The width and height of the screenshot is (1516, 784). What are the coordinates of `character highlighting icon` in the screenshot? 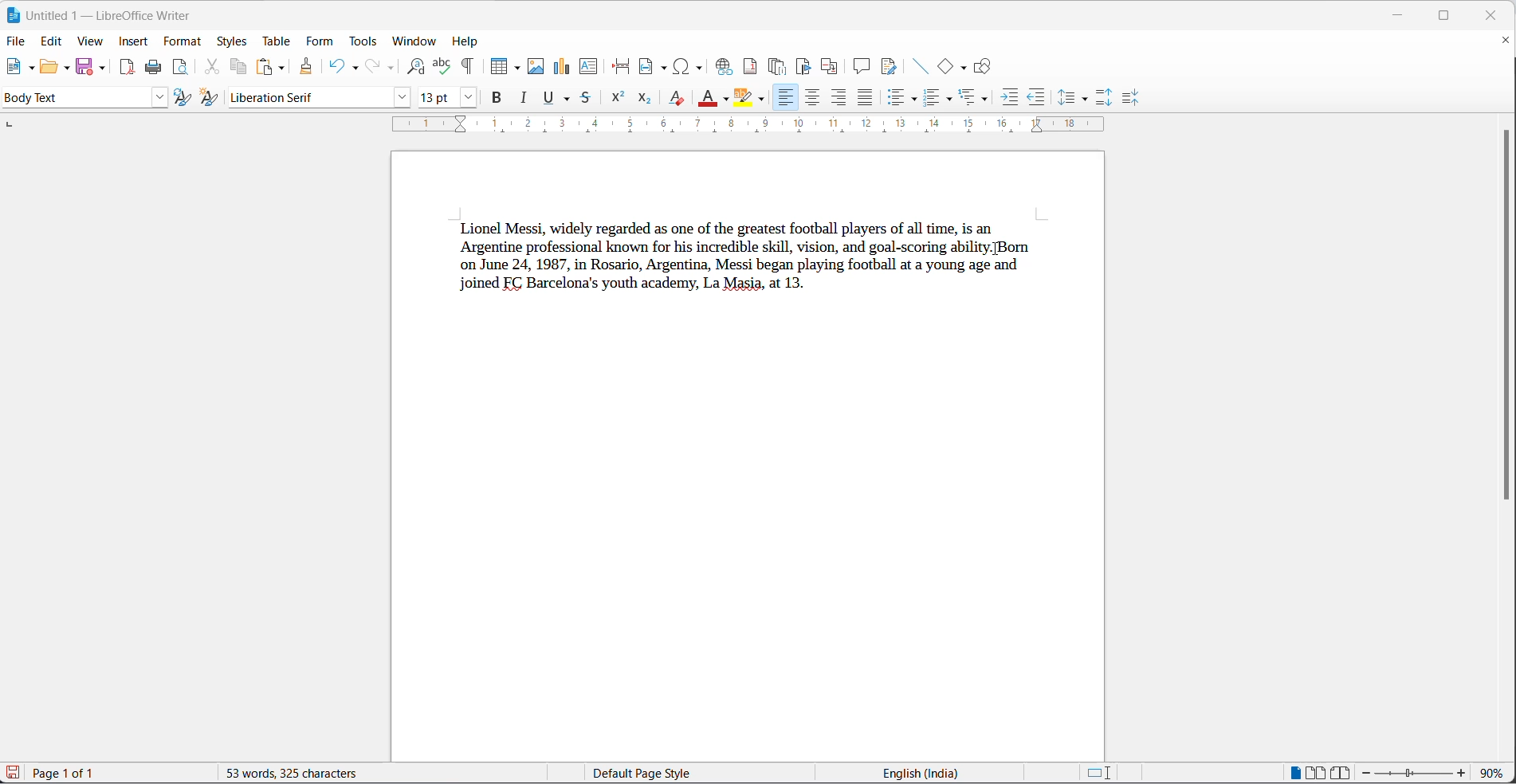 It's located at (741, 98).